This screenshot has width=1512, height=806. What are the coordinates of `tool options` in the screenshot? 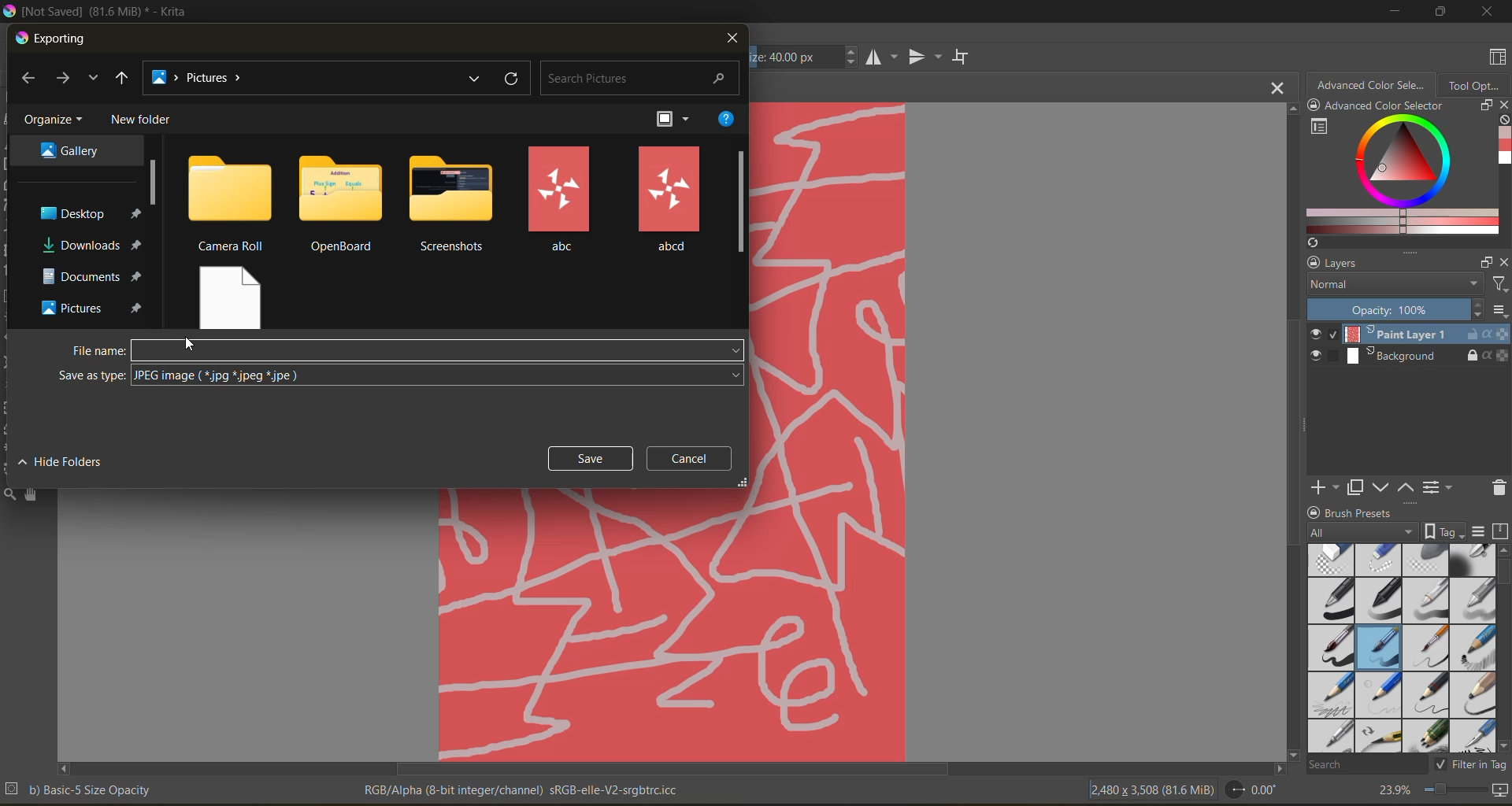 It's located at (1475, 84).